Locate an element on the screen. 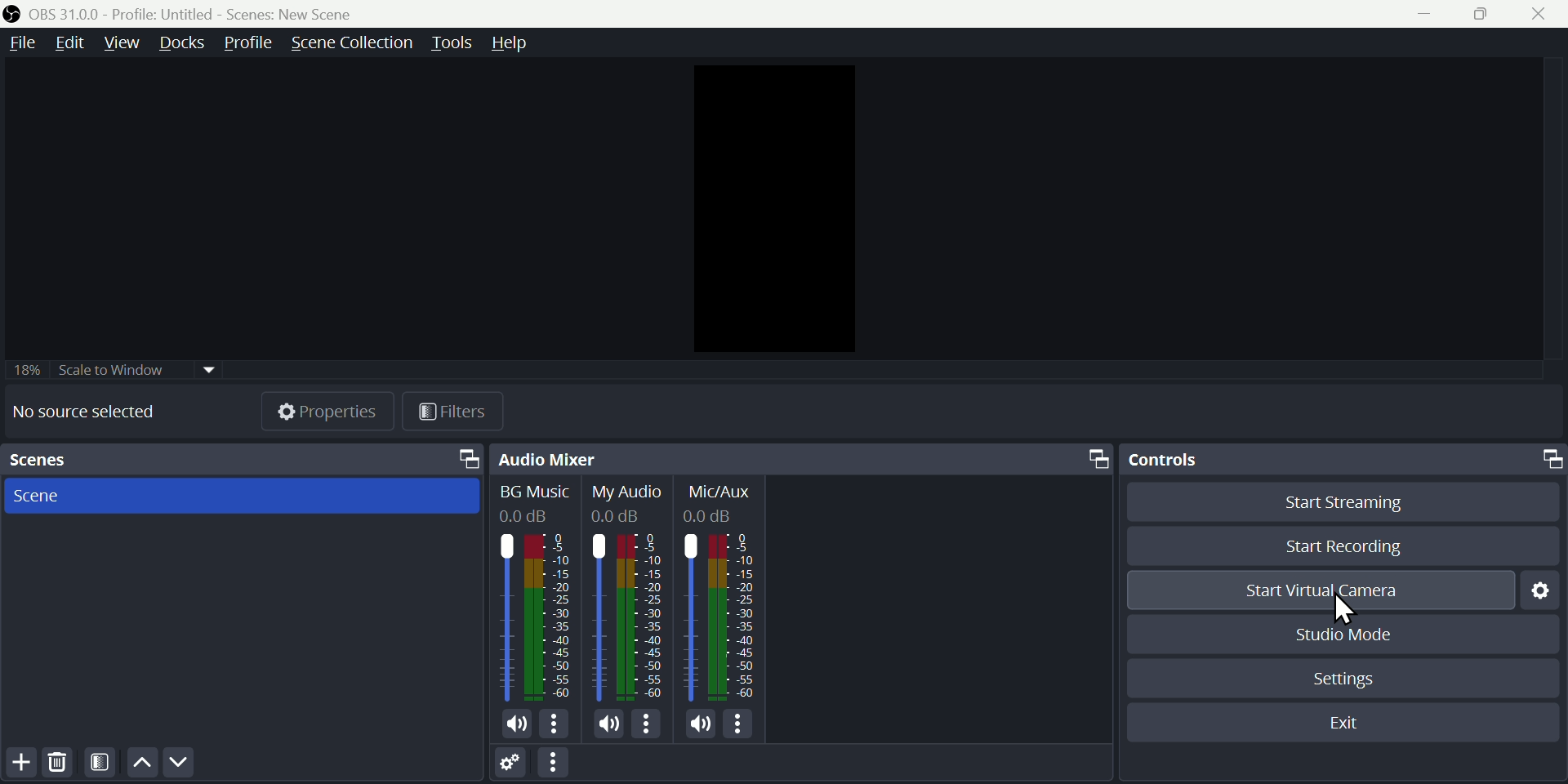 The width and height of the screenshot is (1568, 784). File is located at coordinates (21, 43).